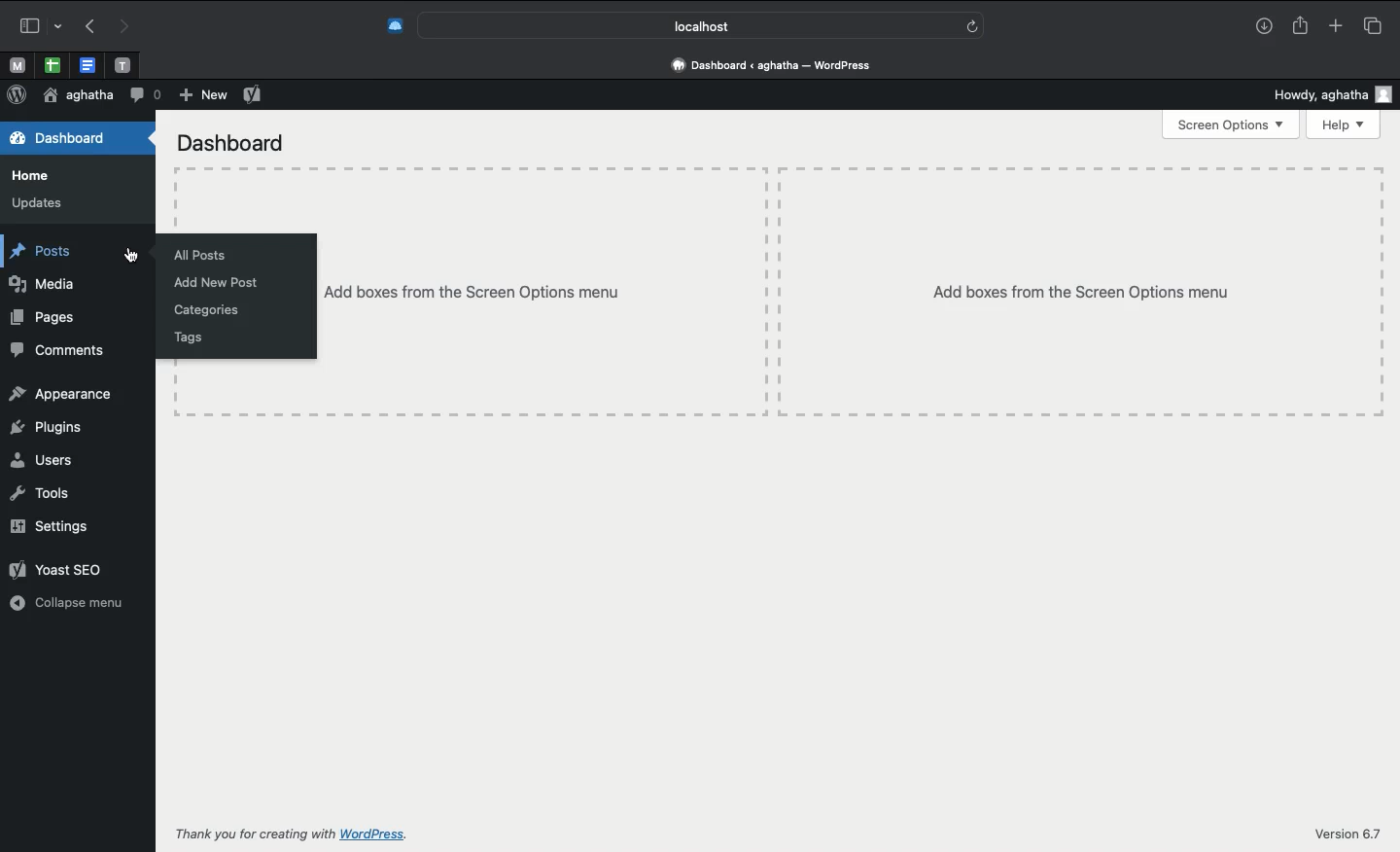 The height and width of the screenshot is (852, 1400). I want to click on Dashboard, so click(77, 138).